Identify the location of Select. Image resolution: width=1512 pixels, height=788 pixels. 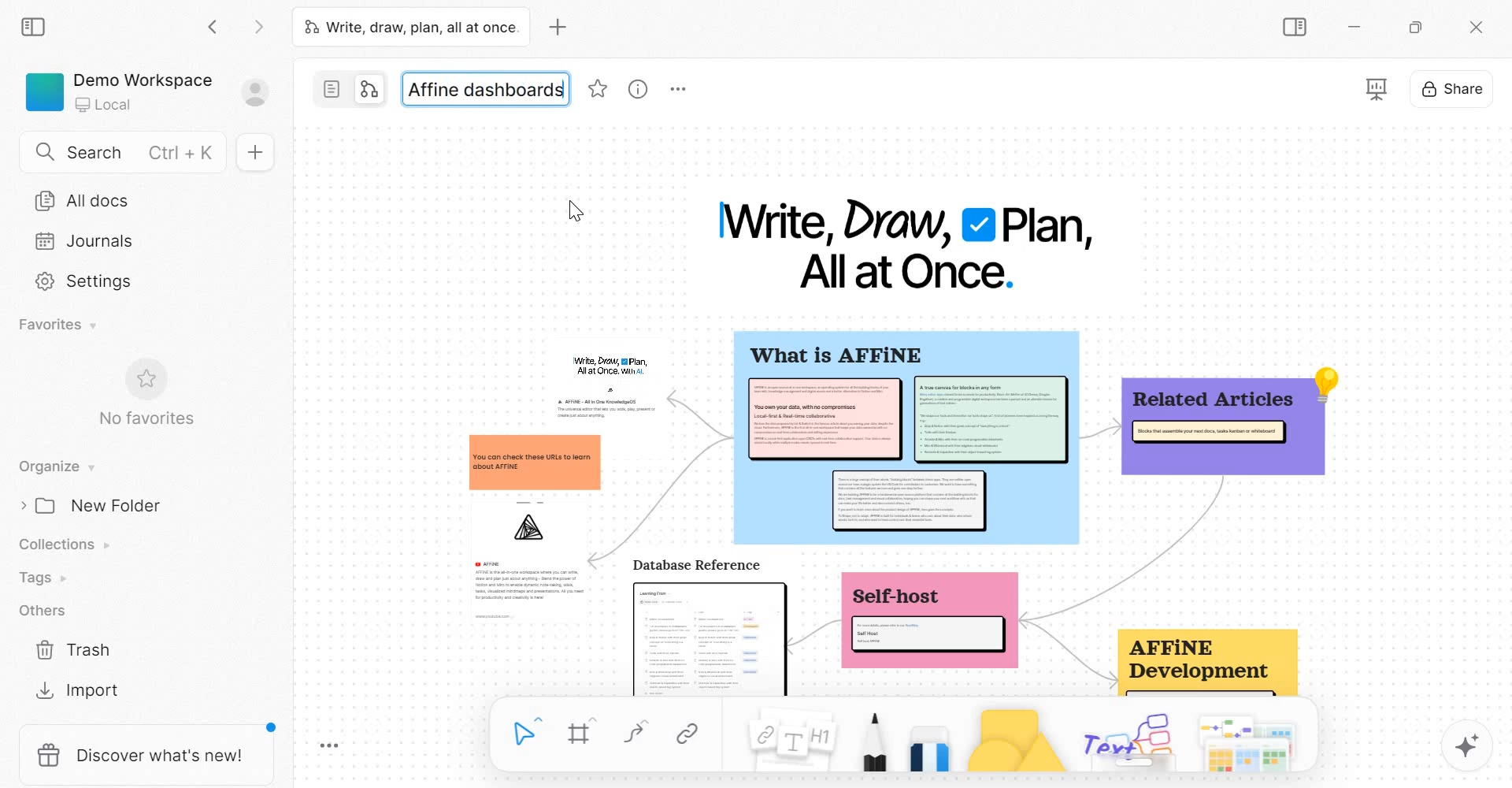
(527, 731).